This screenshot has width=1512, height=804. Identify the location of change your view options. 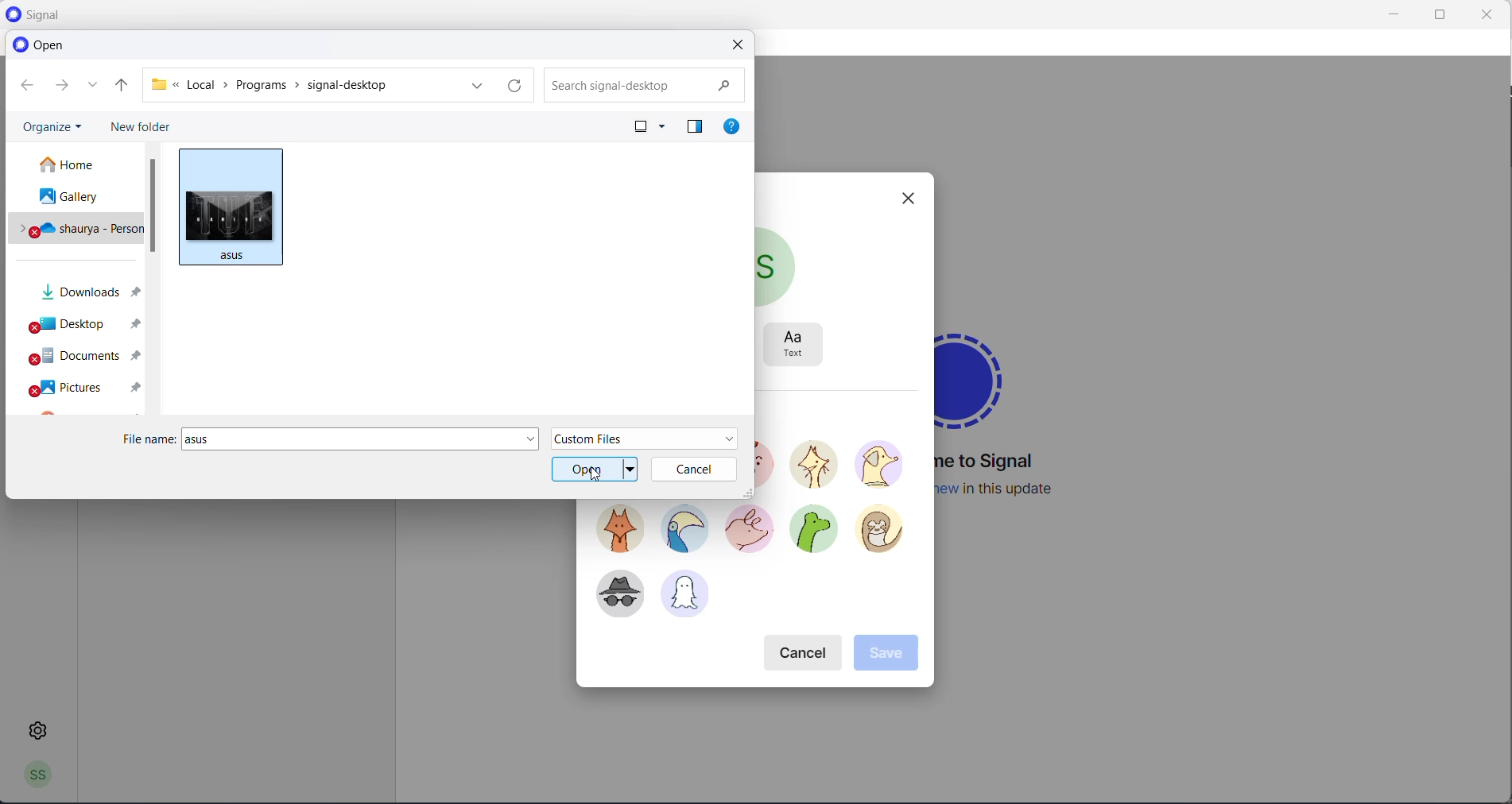
(665, 127).